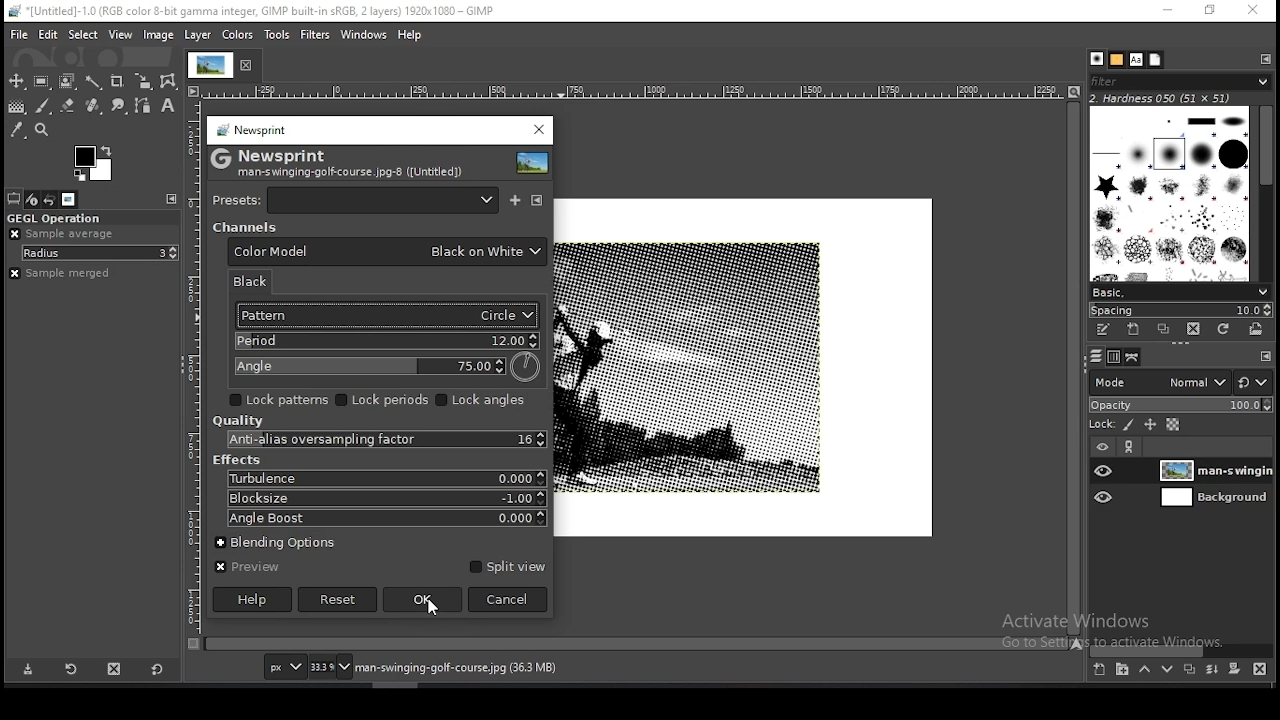  I want to click on images, so click(67, 199).